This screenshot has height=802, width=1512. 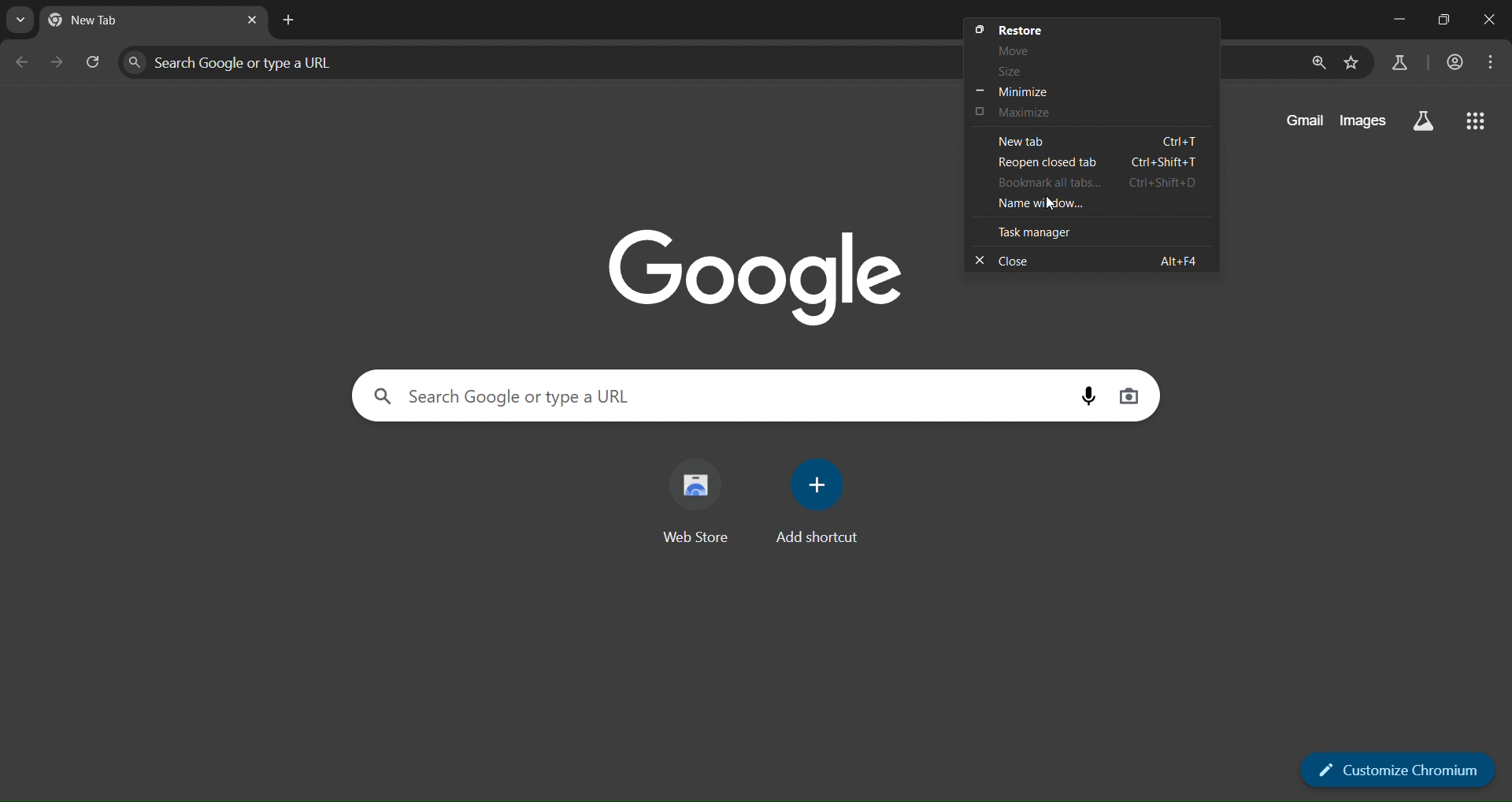 I want to click on bookmark at tabs Ctrl+Shift+O, so click(x=1091, y=182).